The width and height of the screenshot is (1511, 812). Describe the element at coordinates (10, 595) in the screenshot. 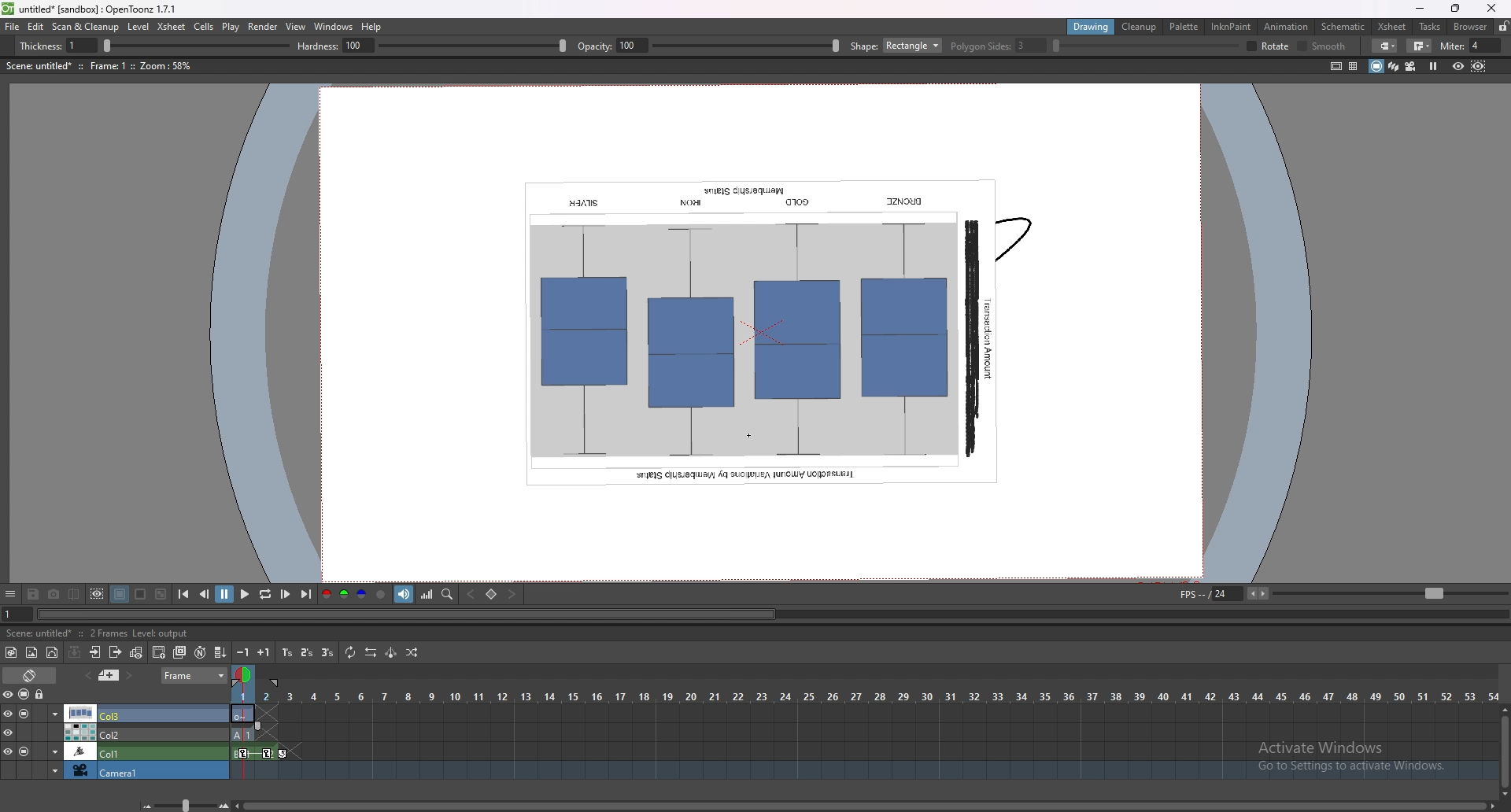

I see `options` at that location.